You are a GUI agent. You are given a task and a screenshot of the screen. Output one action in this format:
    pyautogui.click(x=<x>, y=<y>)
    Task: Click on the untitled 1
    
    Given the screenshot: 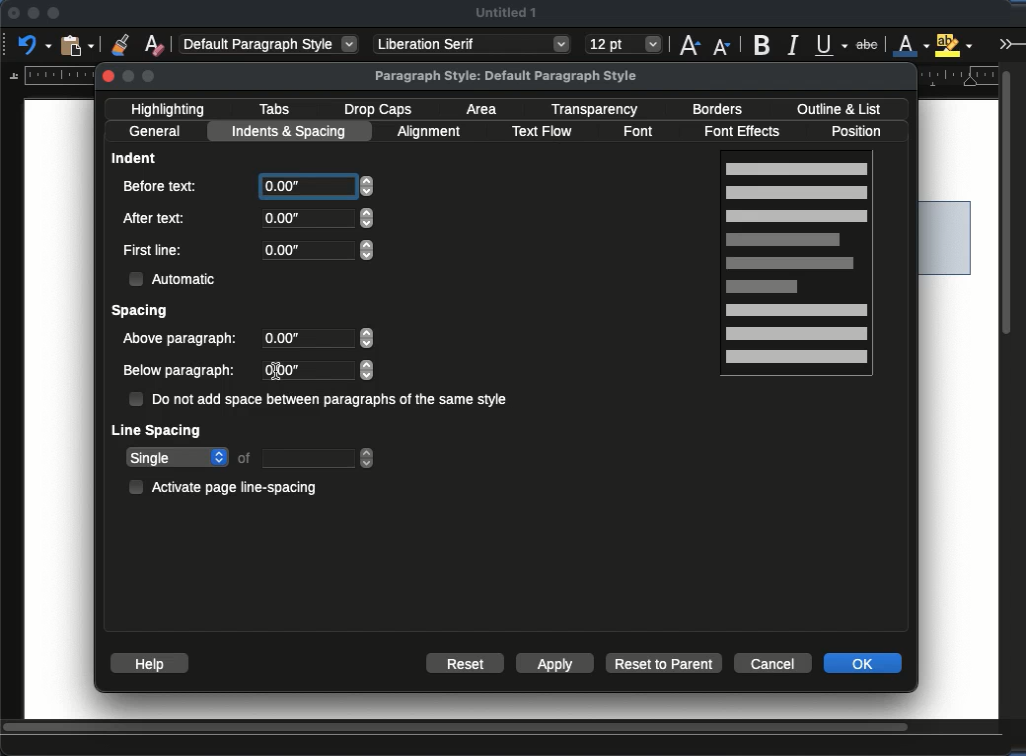 What is the action you would take?
    pyautogui.click(x=506, y=12)
    